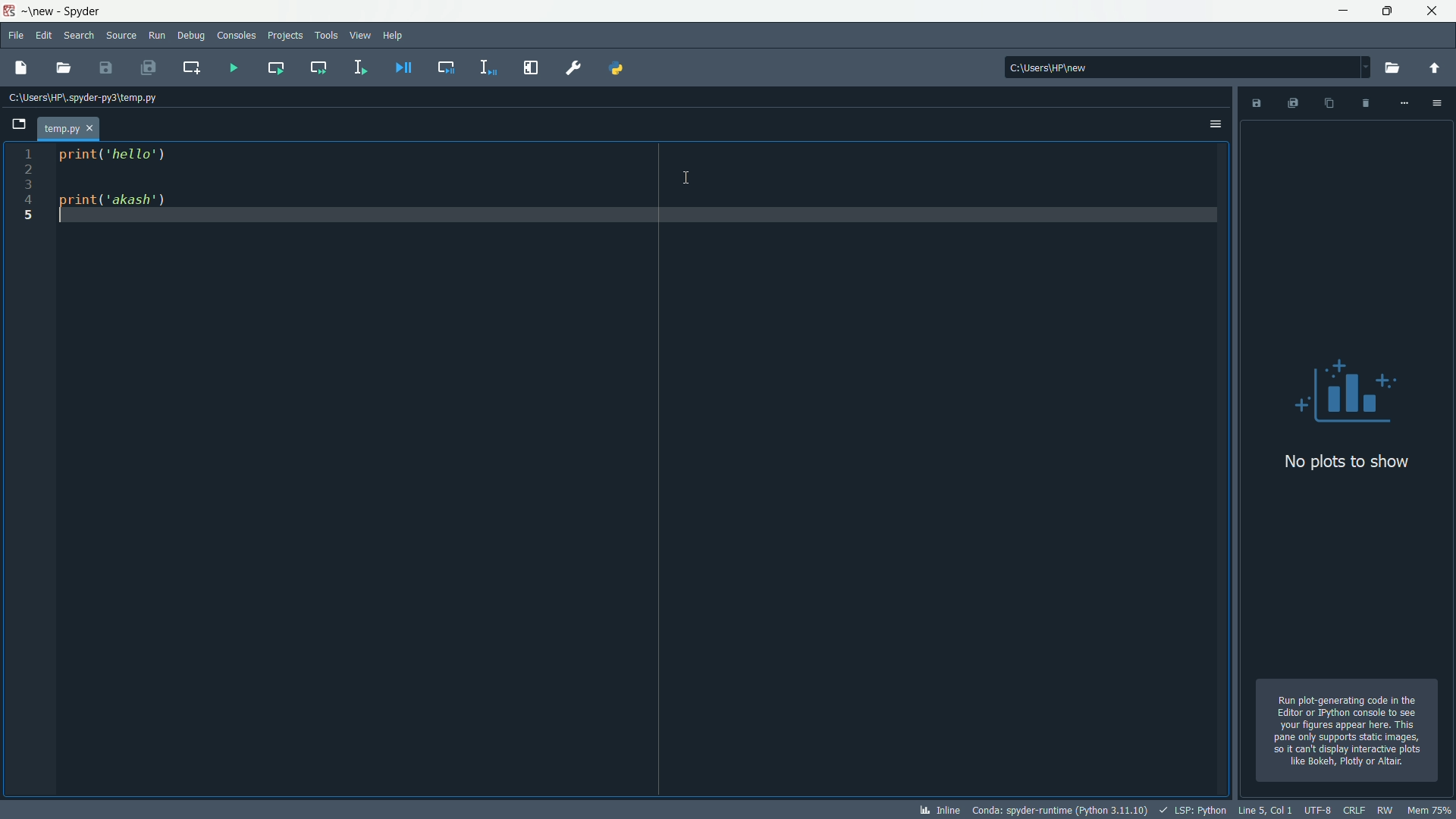  Describe the element at coordinates (105, 68) in the screenshot. I see `save file` at that location.